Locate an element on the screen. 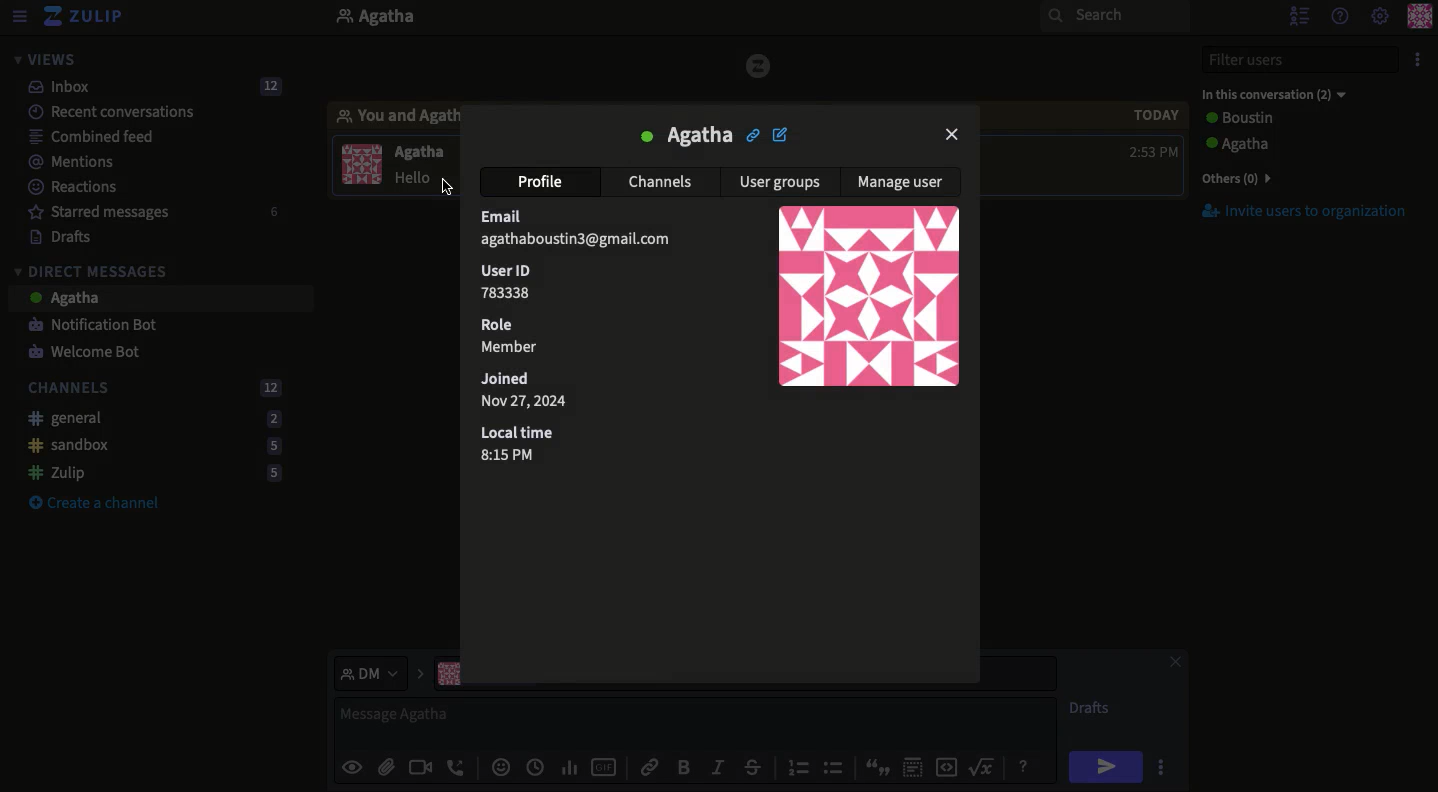  Direct messages is located at coordinates (96, 270).